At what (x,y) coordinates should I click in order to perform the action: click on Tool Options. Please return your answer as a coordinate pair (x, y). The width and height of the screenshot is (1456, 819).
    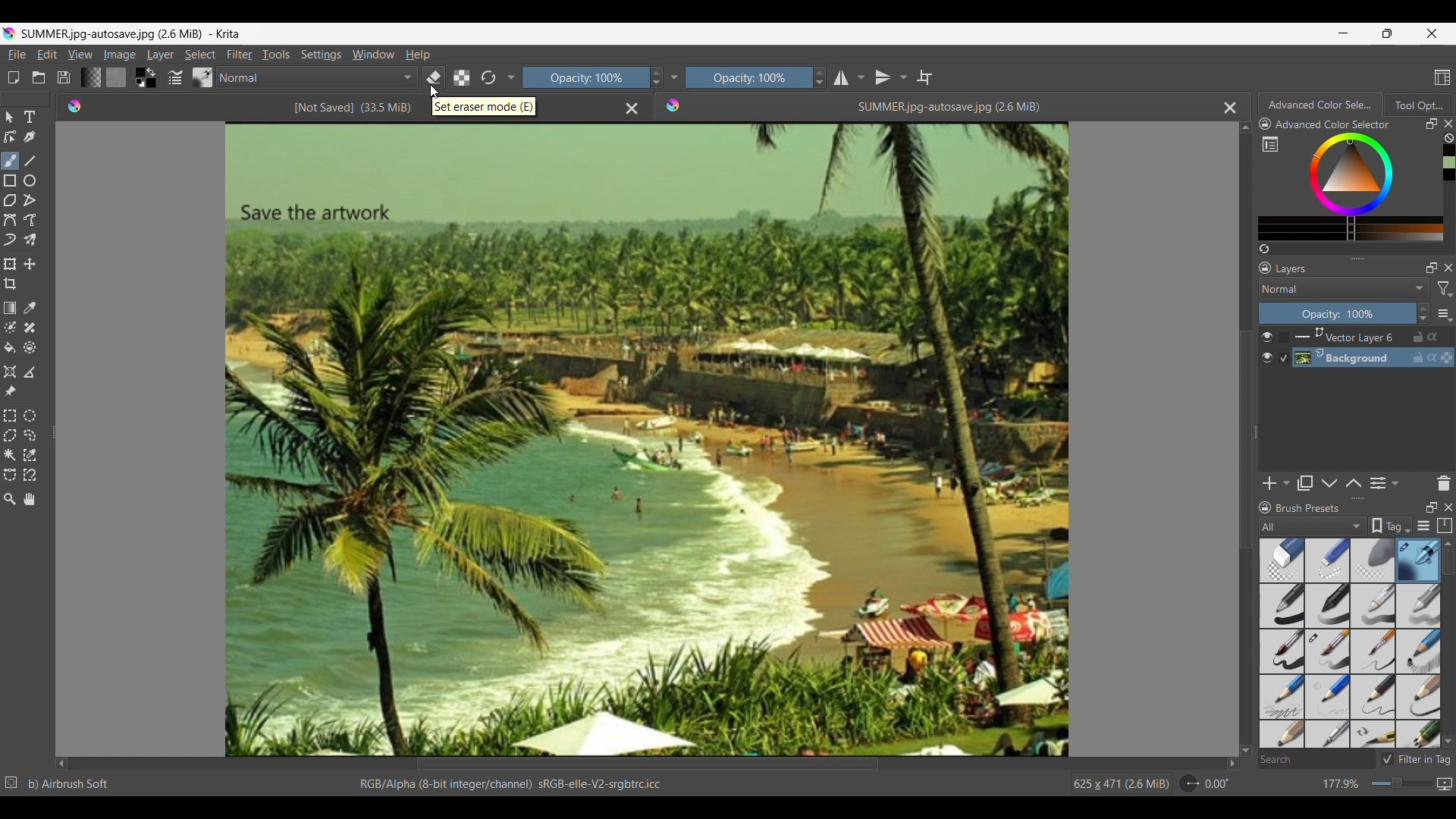
    Looking at the image, I should click on (1420, 105).